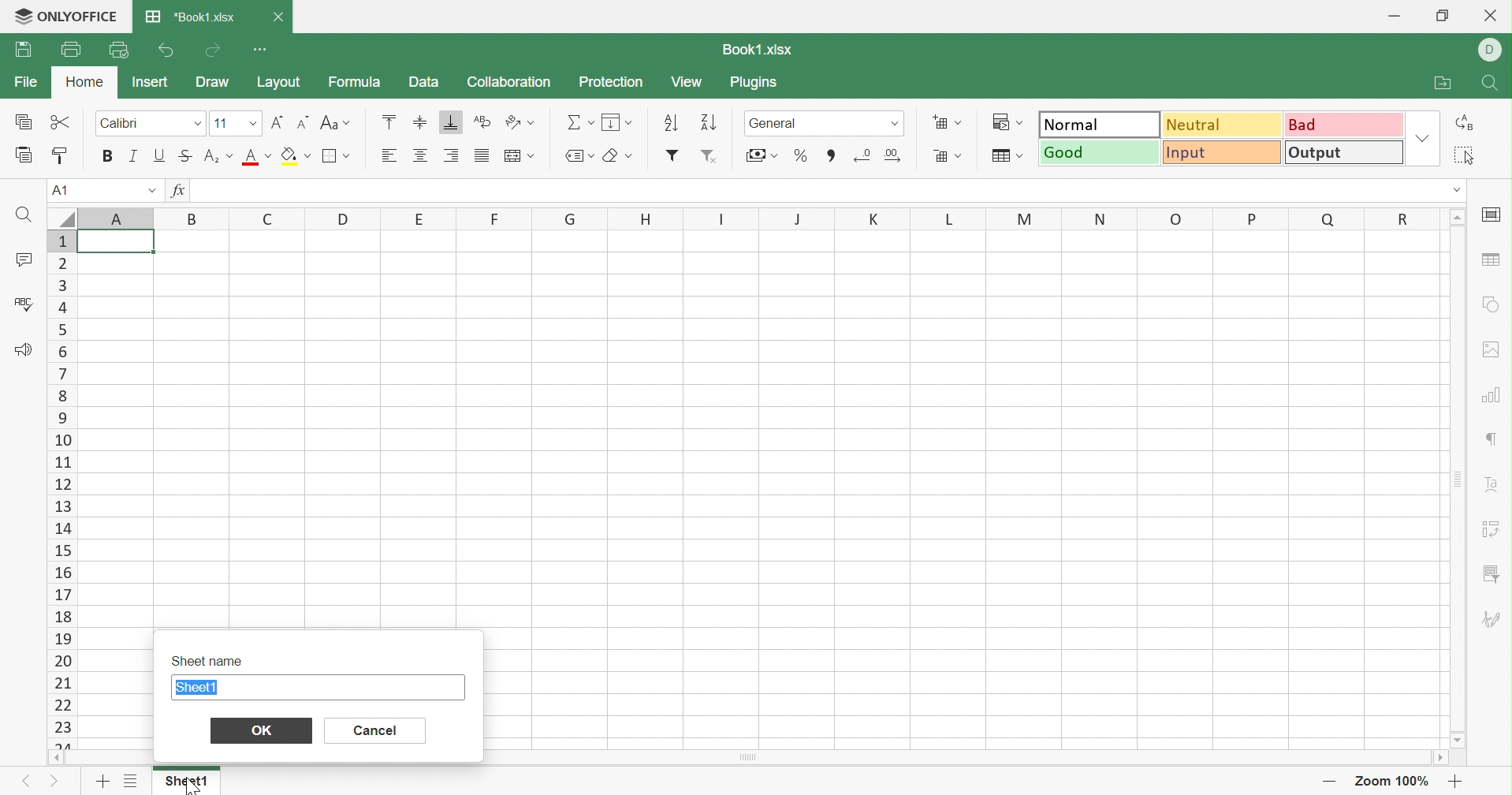  Describe the element at coordinates (214, 82) in the screenshot. I see `Draw` at that location.